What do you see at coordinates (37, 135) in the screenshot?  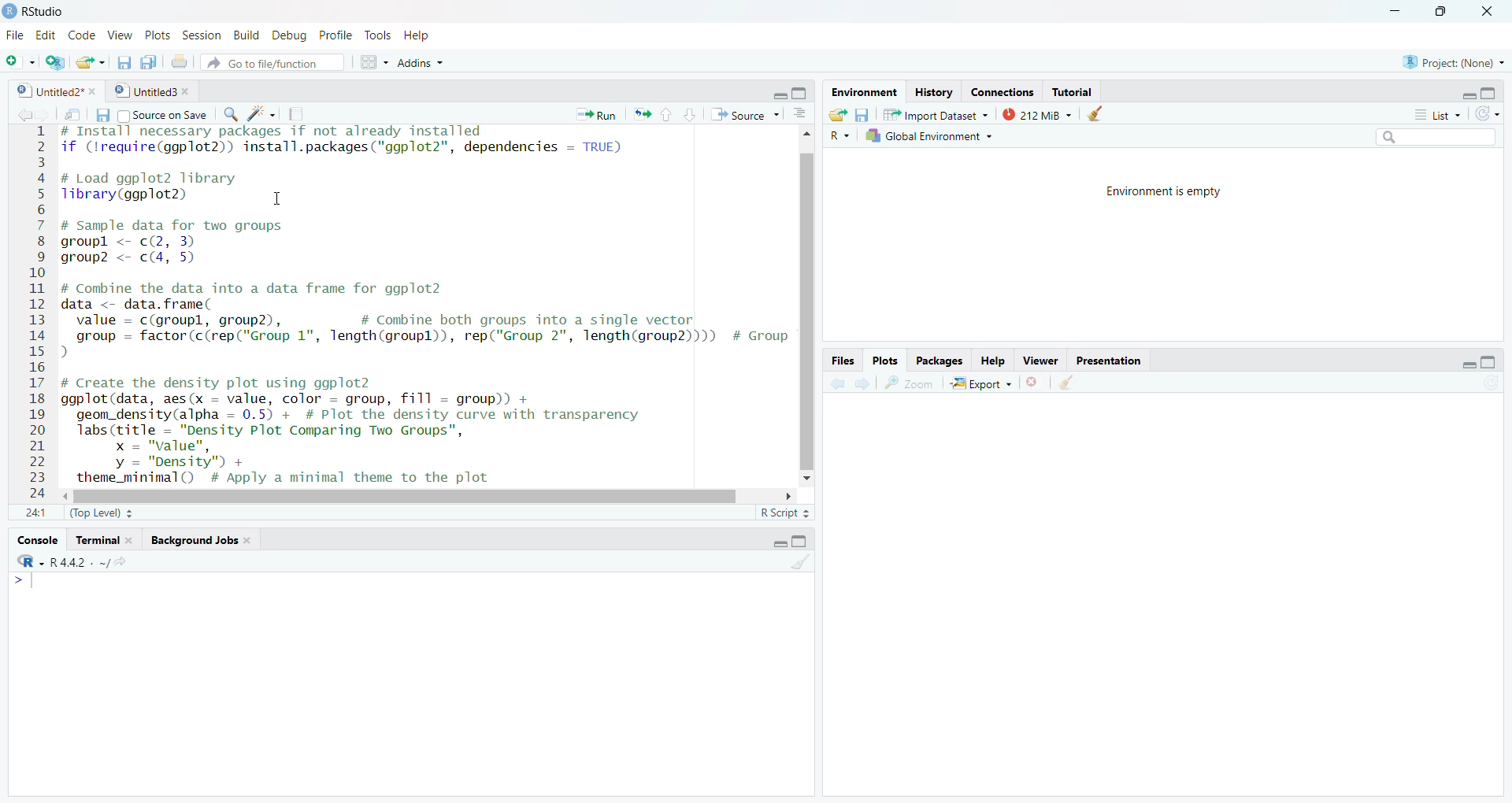 I see `1` at bounding box center [37, 135].